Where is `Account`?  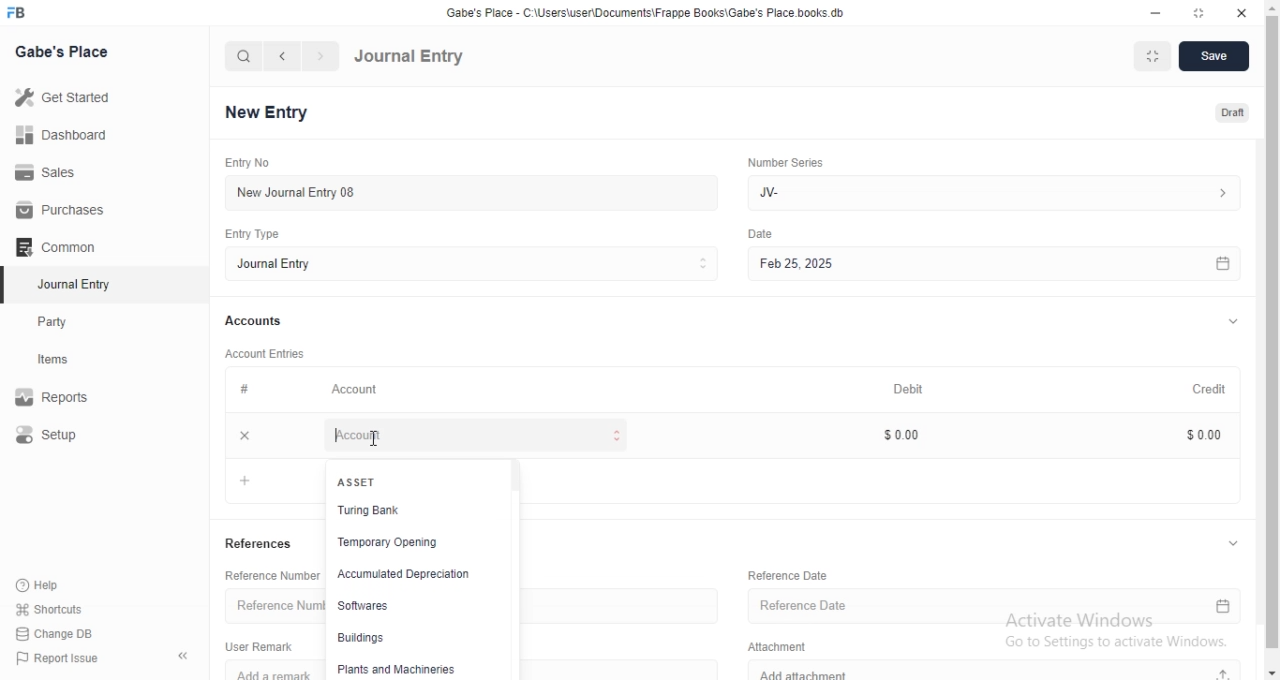 Account is located at coordinates (473, 435).